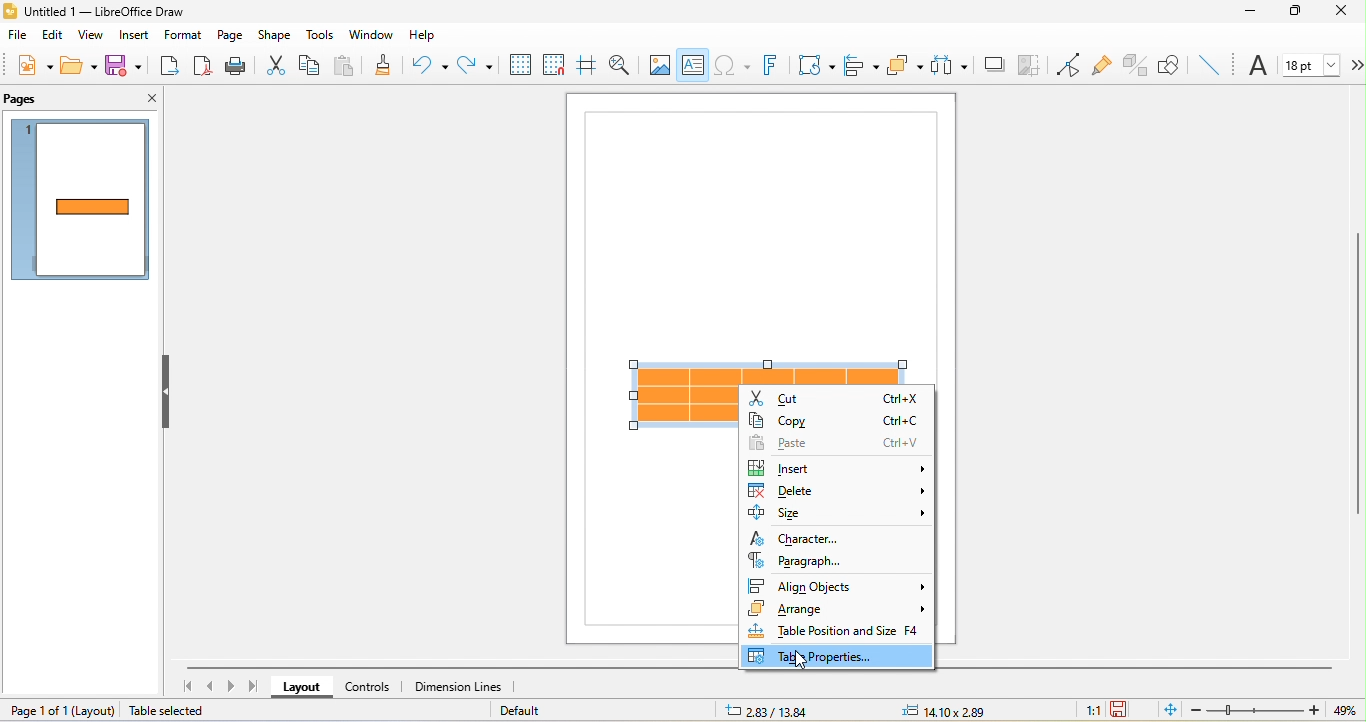  Describe the element at coordinates (305, 688) in the screenshot. I see `layout` at that location.